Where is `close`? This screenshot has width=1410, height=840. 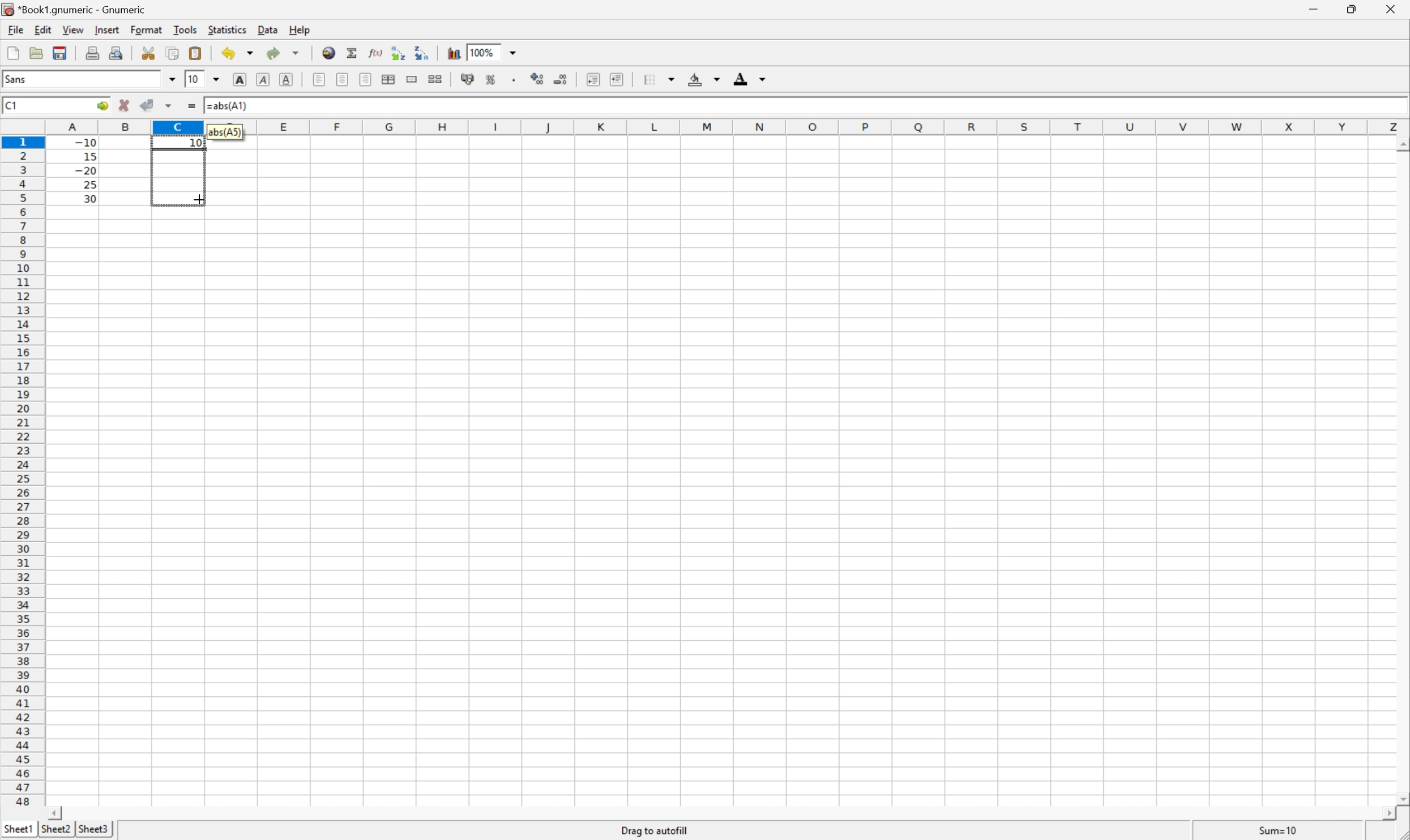 close is located at coordinates (1389, 11).